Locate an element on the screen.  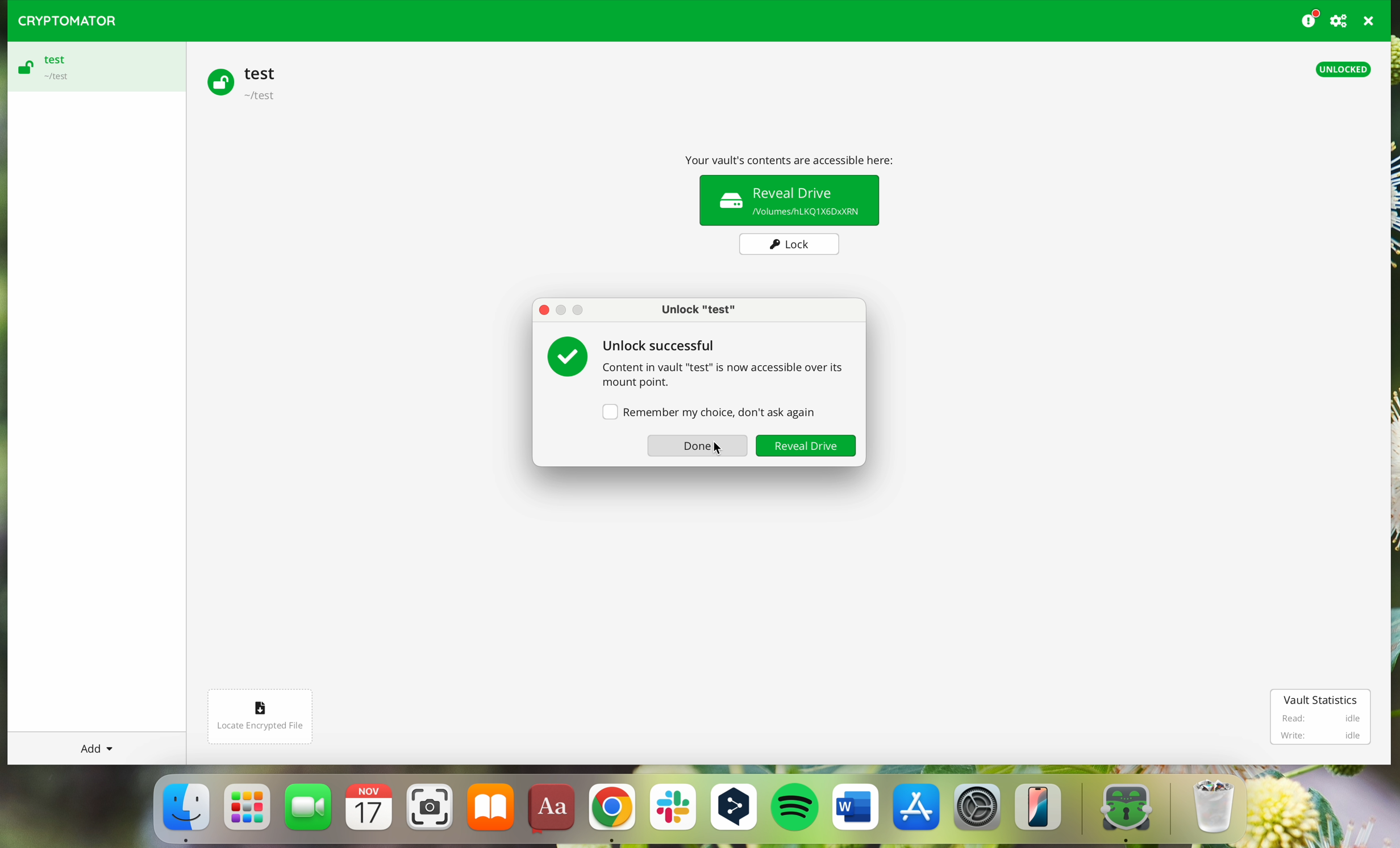
add button is located at coordinates (95, 748).